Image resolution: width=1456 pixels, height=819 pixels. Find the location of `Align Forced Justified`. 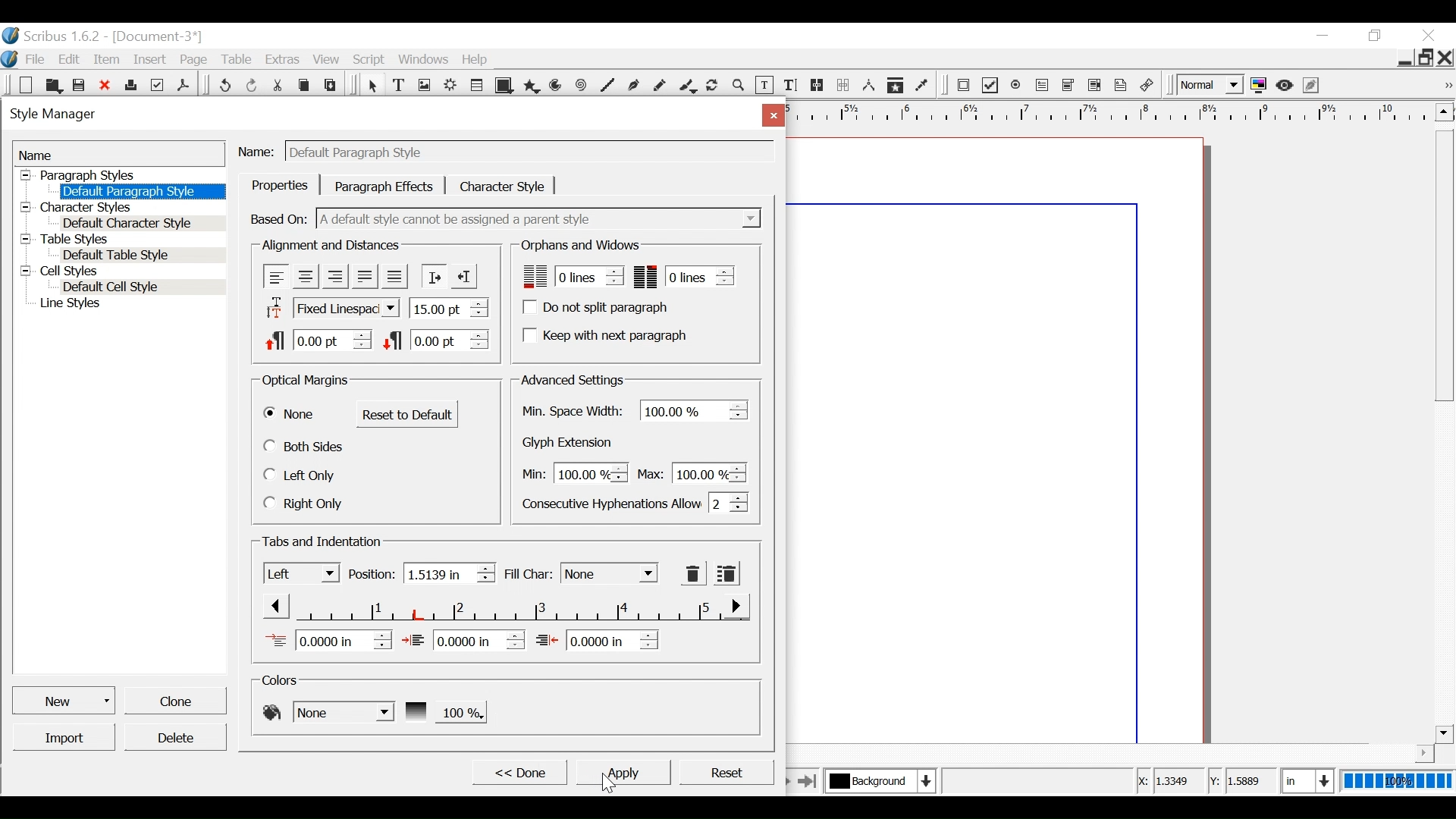

Align Forced Justified is located at coordinates (394, 277).